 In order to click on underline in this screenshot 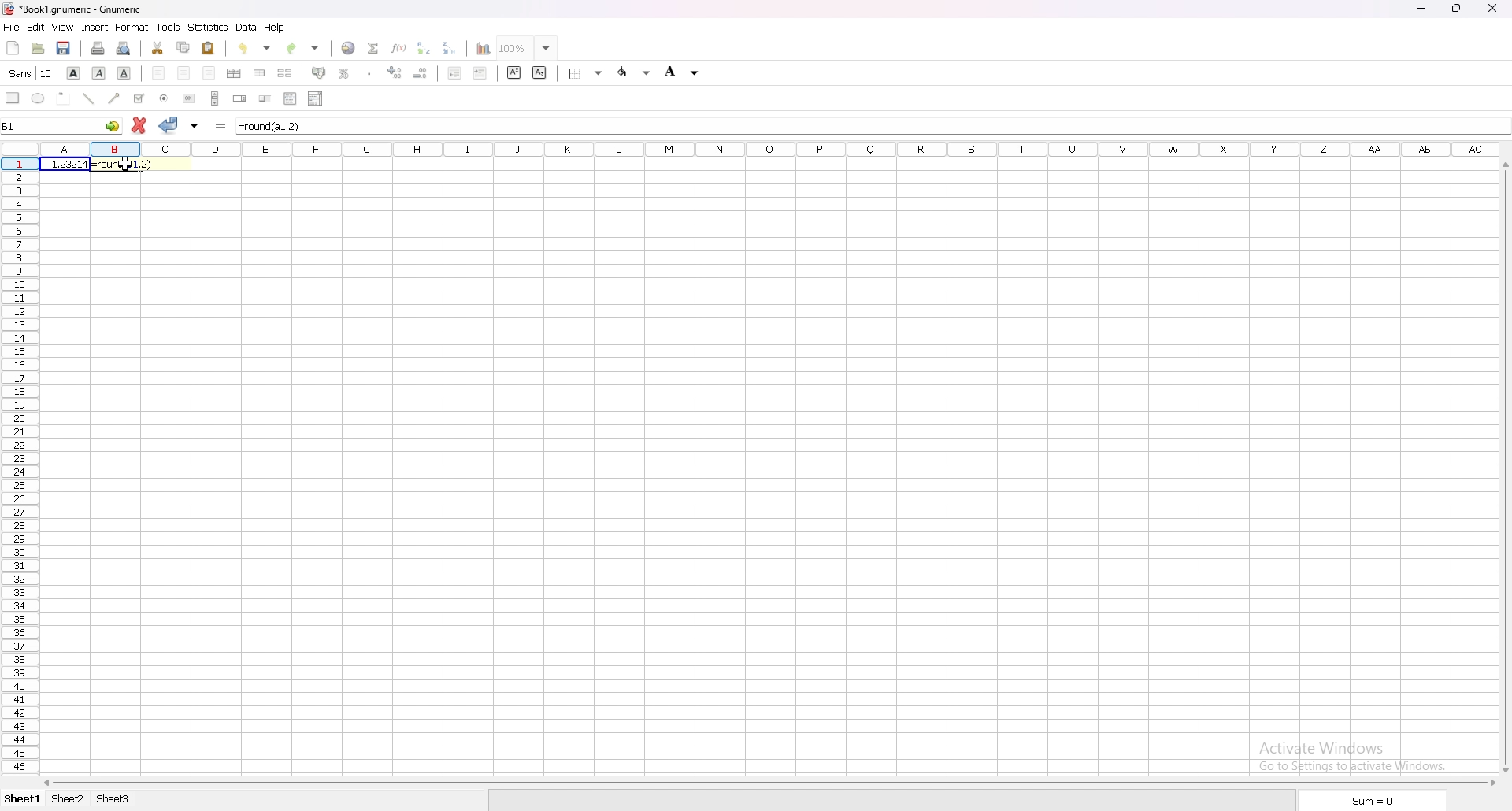, I will do `click(124, 72)`.